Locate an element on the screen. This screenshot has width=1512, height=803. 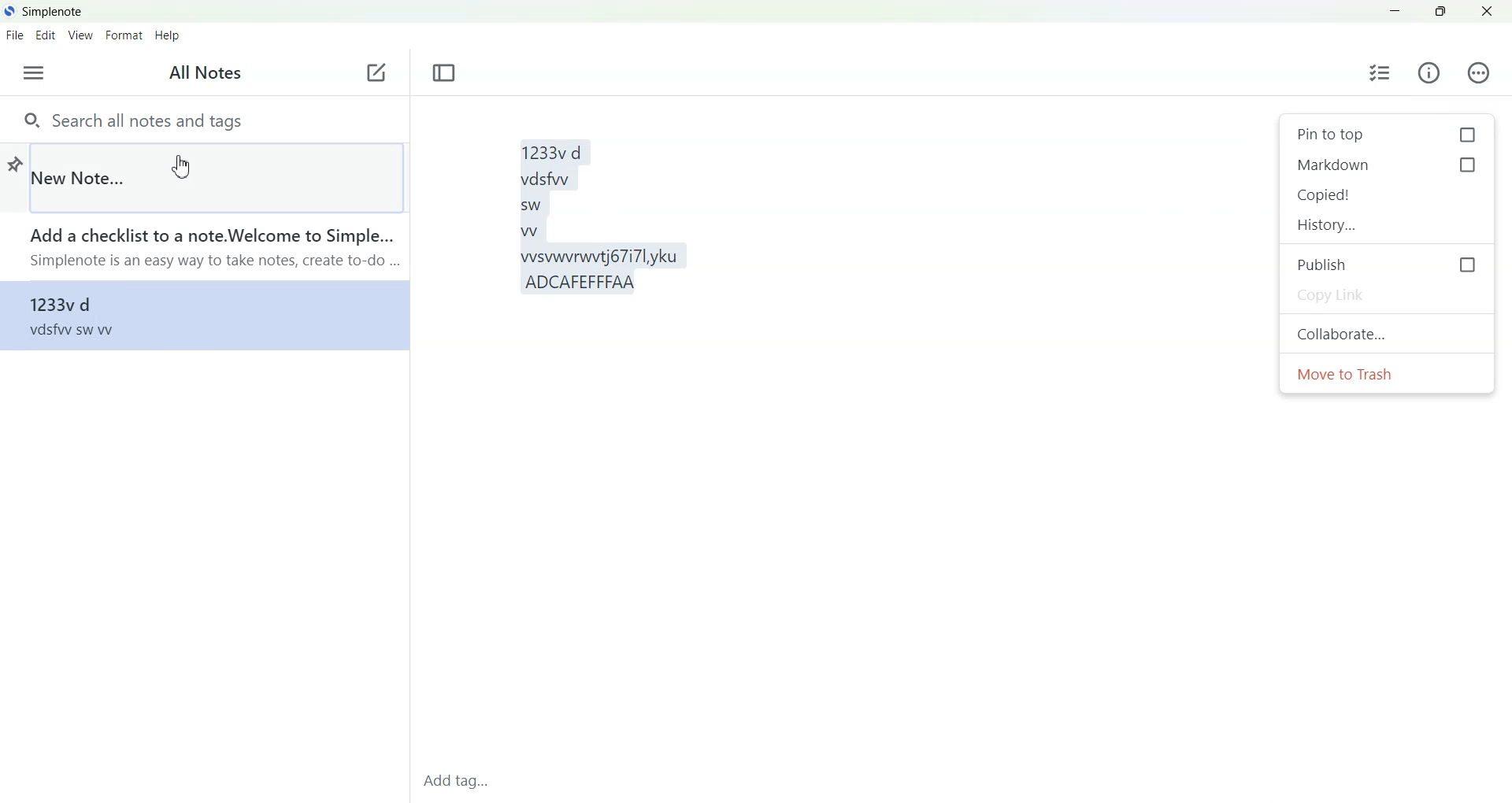
Simplenote is located at coordinates (44, 10).